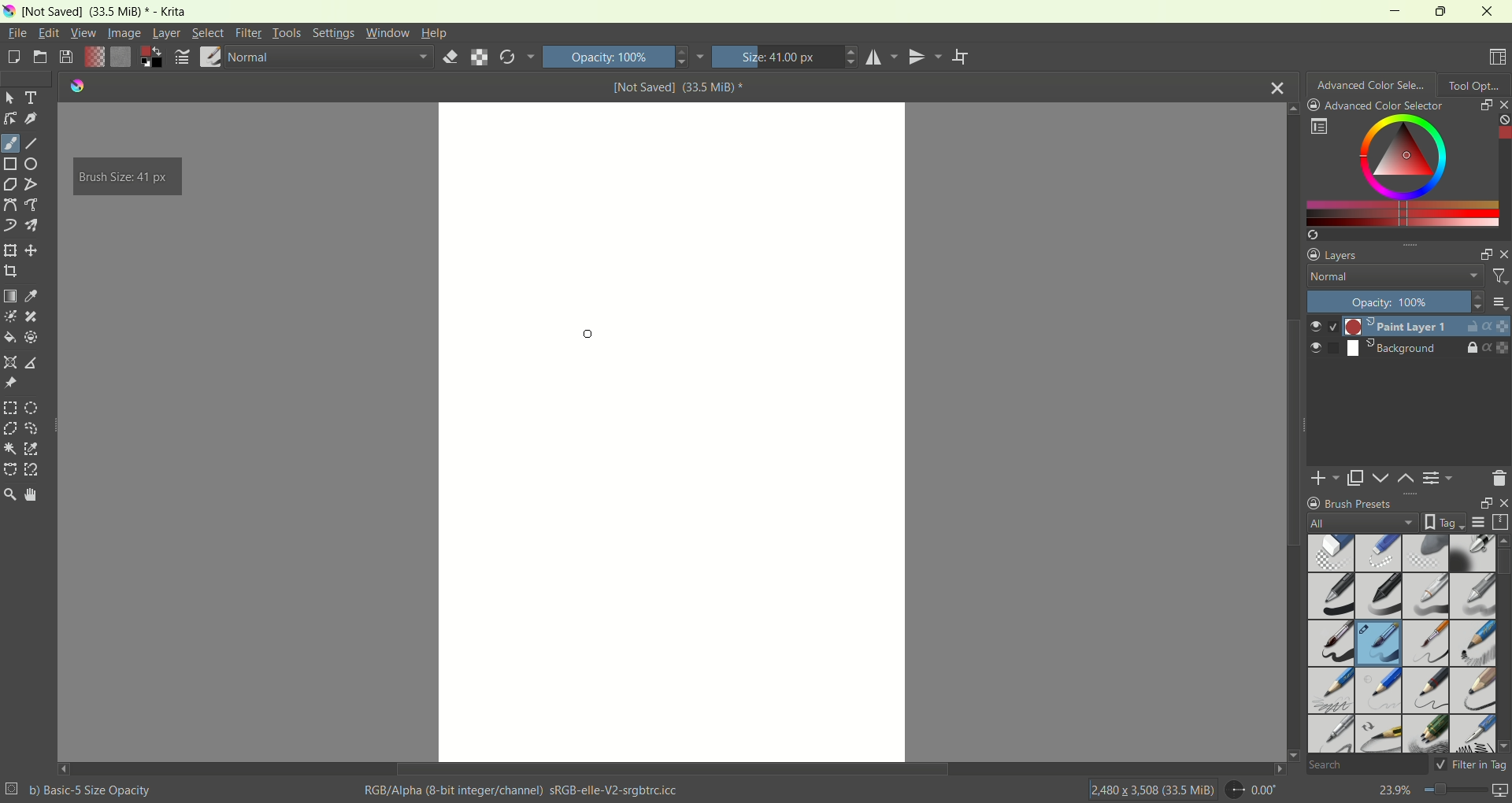 This screenshot has height=803, width=1512. Describe the element at coordinates (1278, 86) in the screenshot. I see `close` at that location.